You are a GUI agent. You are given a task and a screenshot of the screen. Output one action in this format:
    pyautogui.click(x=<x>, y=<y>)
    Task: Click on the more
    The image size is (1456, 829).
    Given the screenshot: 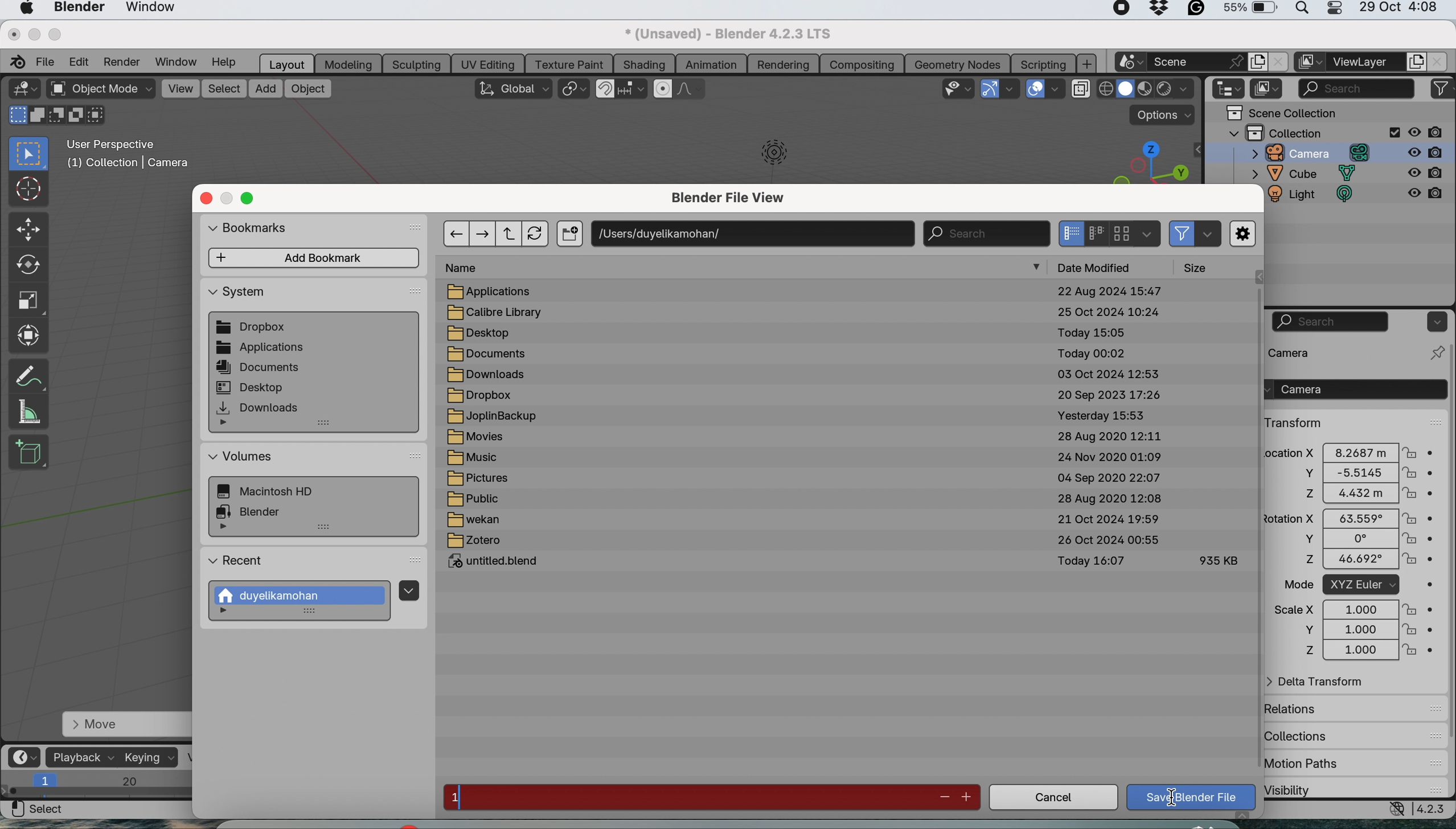 What is the action you would take?
    pyautogui.click(x=228, y=613)
    